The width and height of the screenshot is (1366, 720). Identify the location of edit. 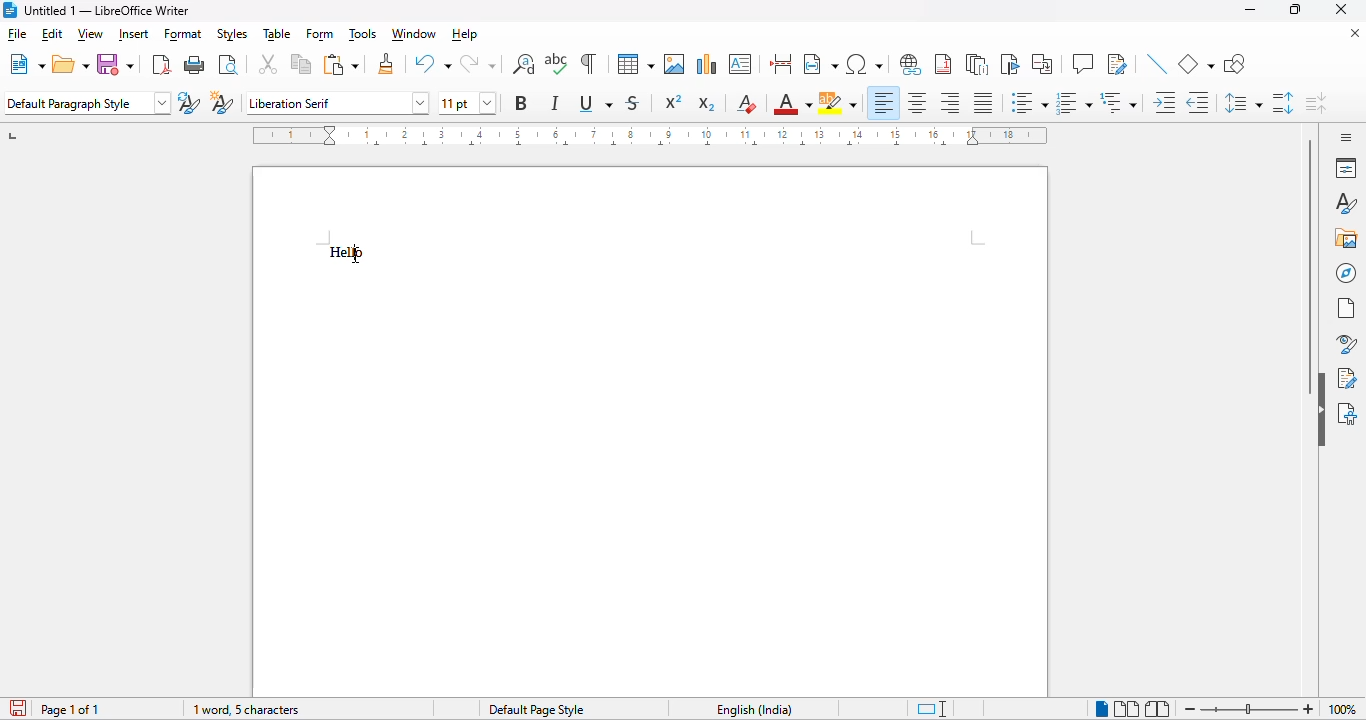
(51, 34).